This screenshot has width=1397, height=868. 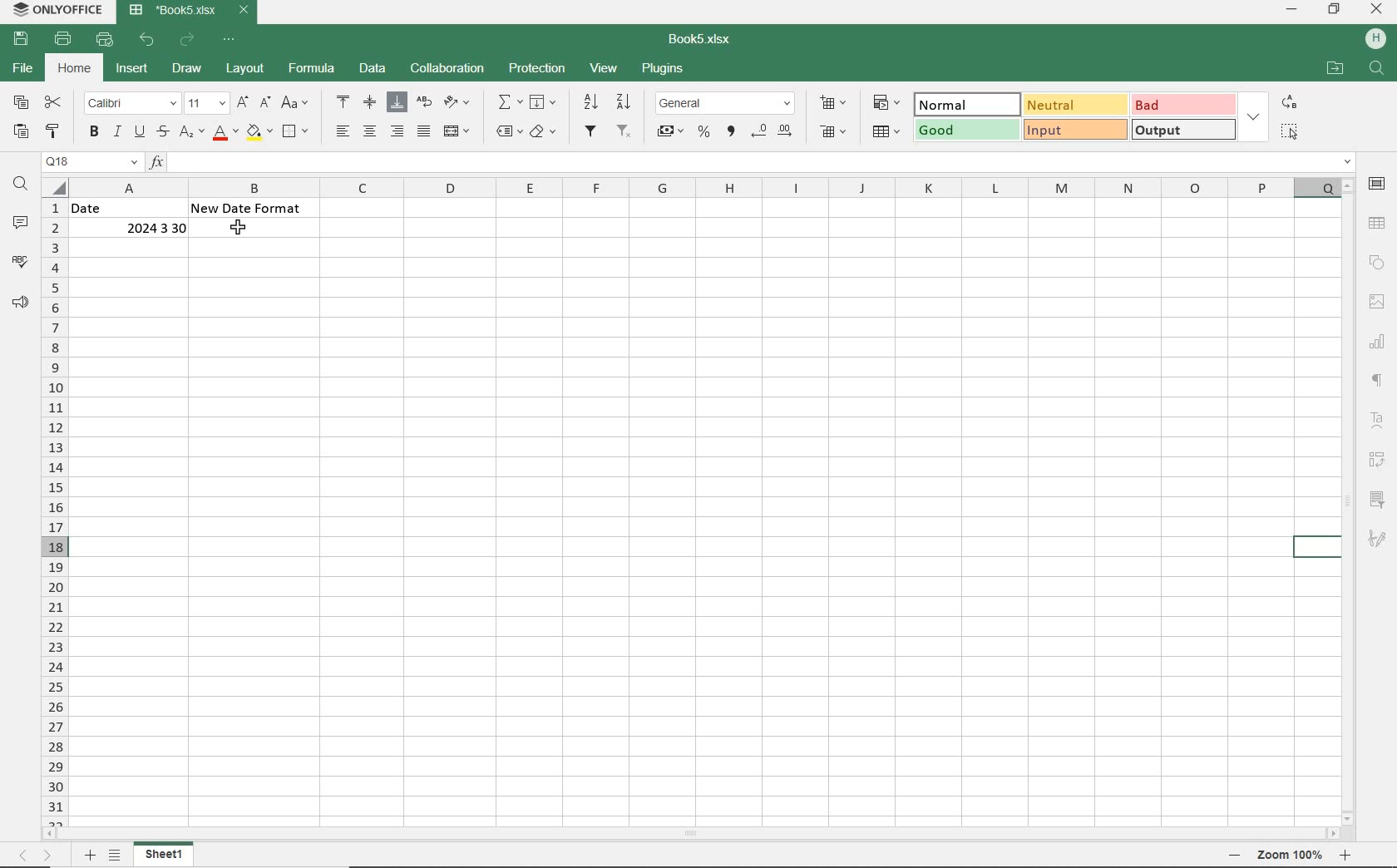 I want to click on DOCUMENT NAME, so click(x=700, y=40).